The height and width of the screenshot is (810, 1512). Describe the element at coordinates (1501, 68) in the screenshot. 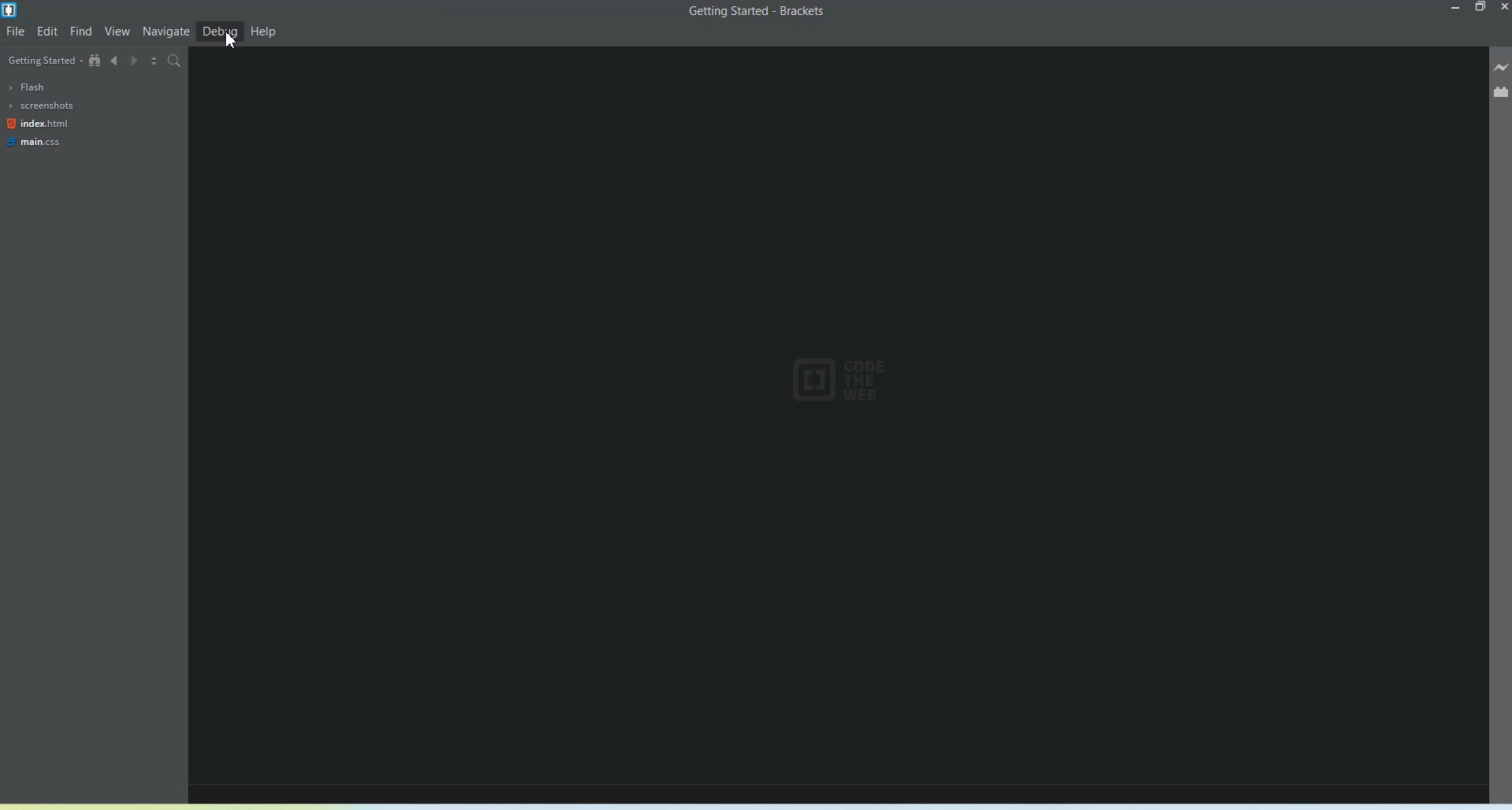

I see `Live Preview` at that location.